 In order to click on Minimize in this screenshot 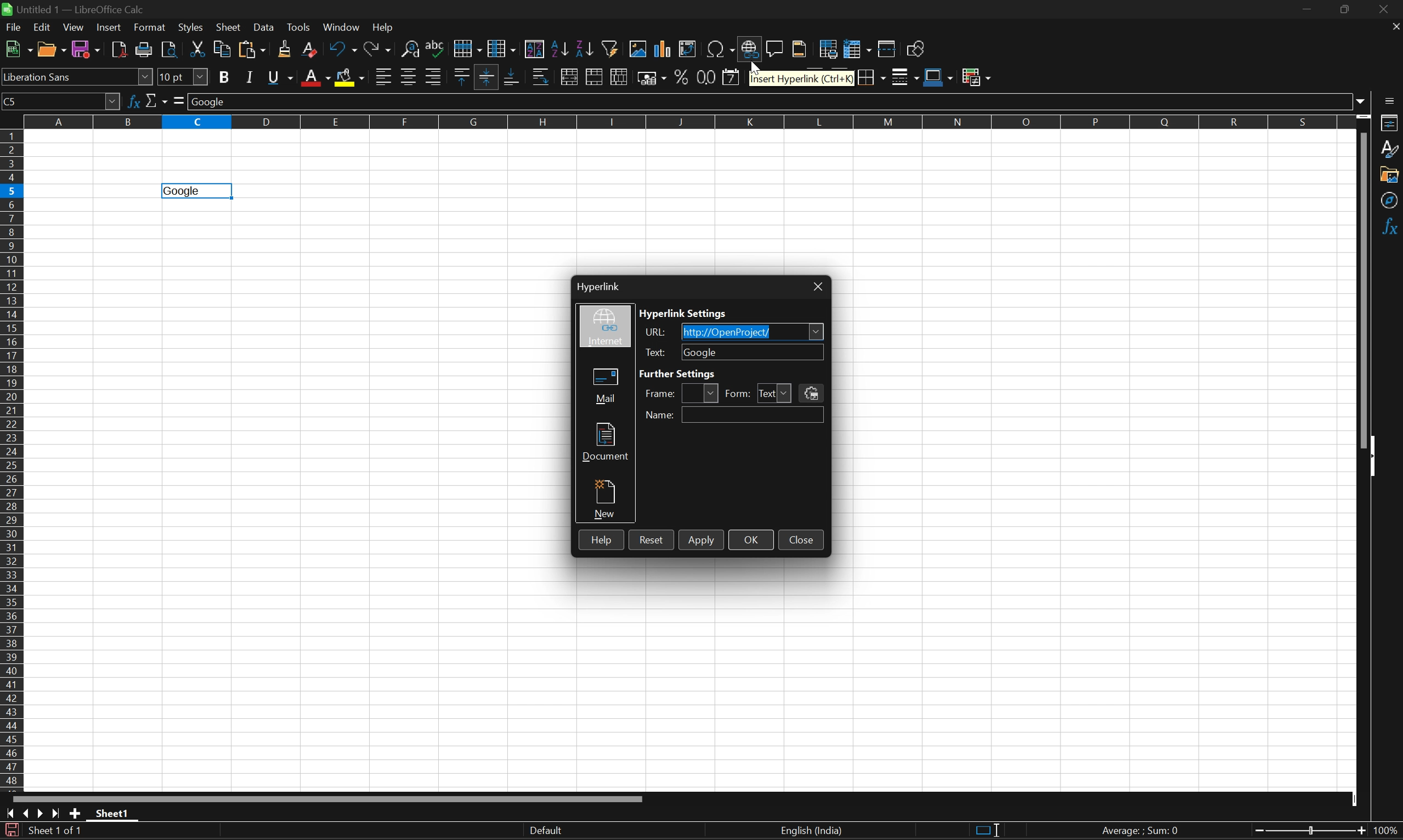, I will do `click(1308, 10)`.